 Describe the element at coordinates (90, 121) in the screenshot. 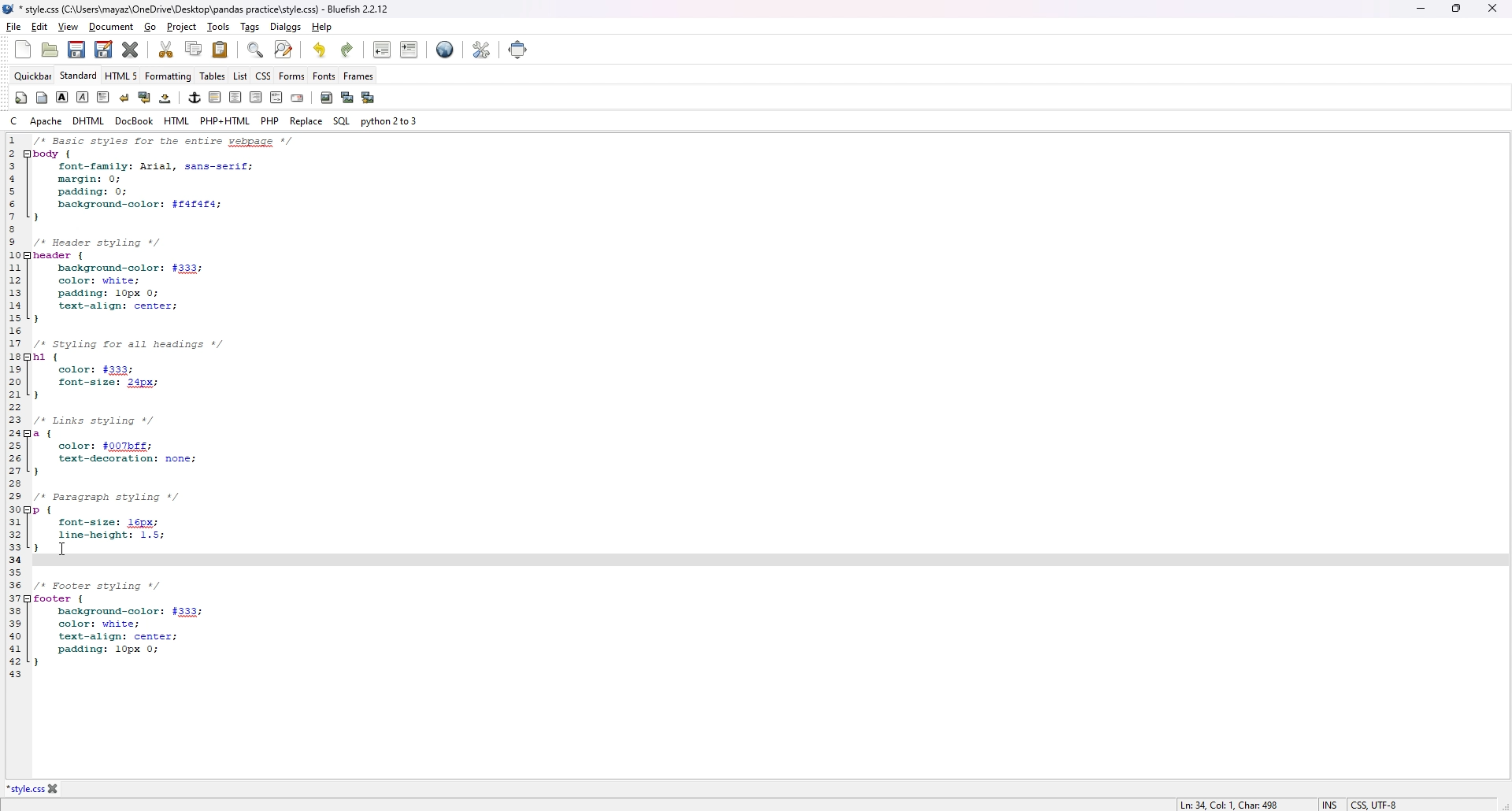

I see `dhtml` at that location.